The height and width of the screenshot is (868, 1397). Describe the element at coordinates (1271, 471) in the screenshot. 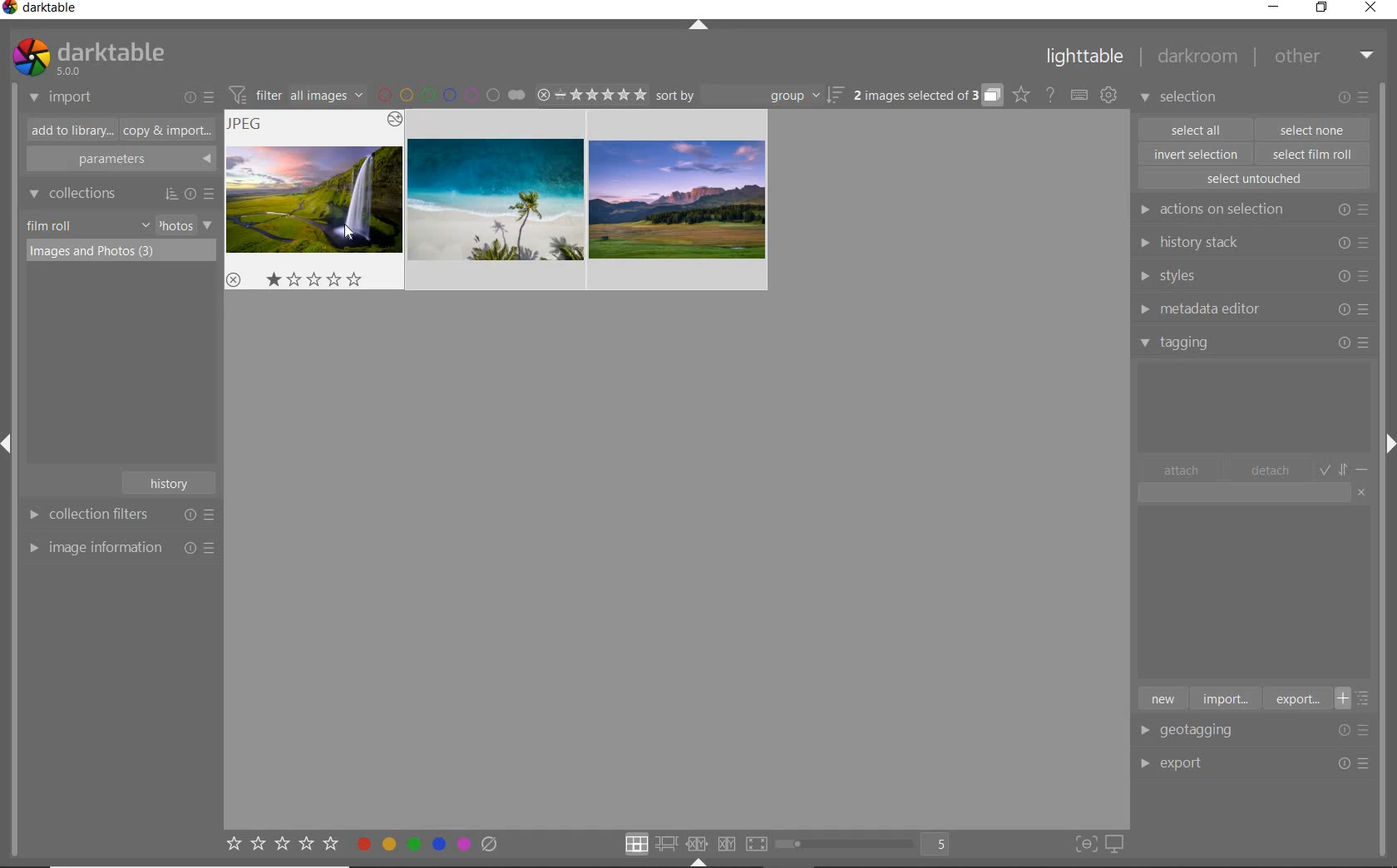

I see `detach` at that location.